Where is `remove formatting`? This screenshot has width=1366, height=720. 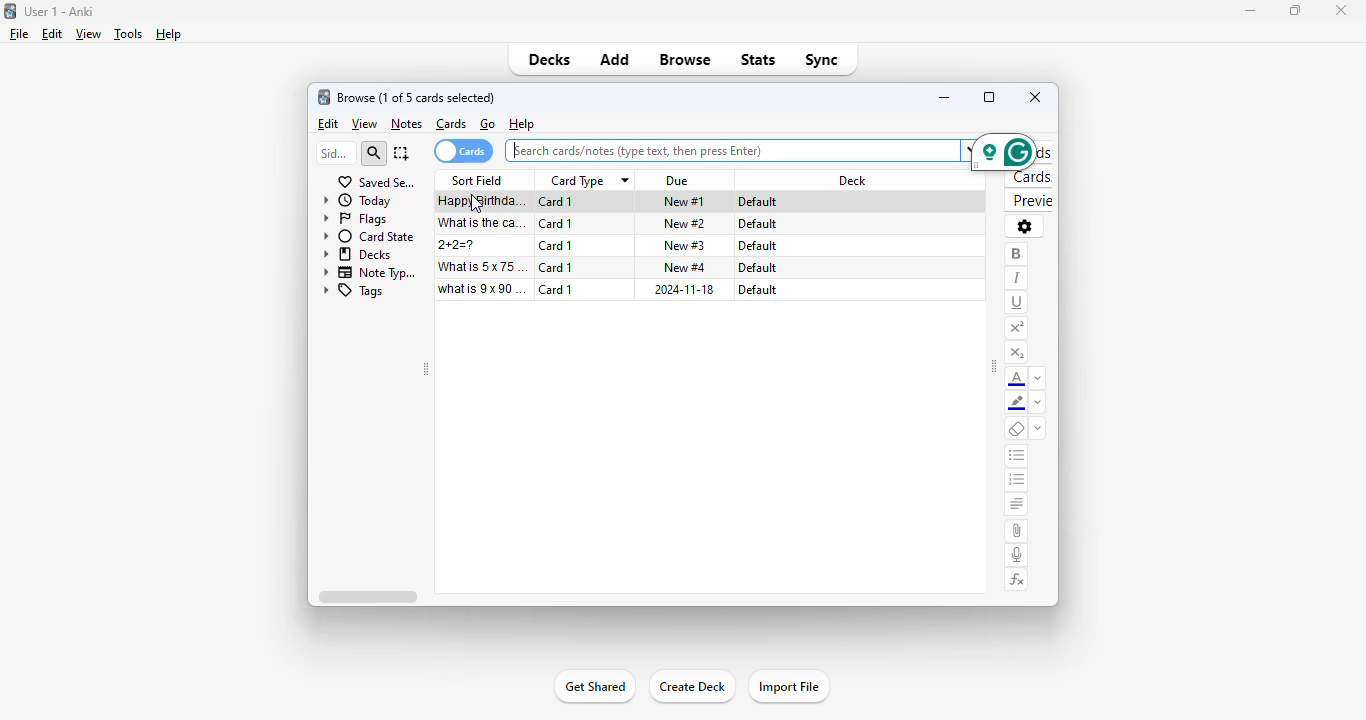
remove formatting is located at coordinates (1016, 428).